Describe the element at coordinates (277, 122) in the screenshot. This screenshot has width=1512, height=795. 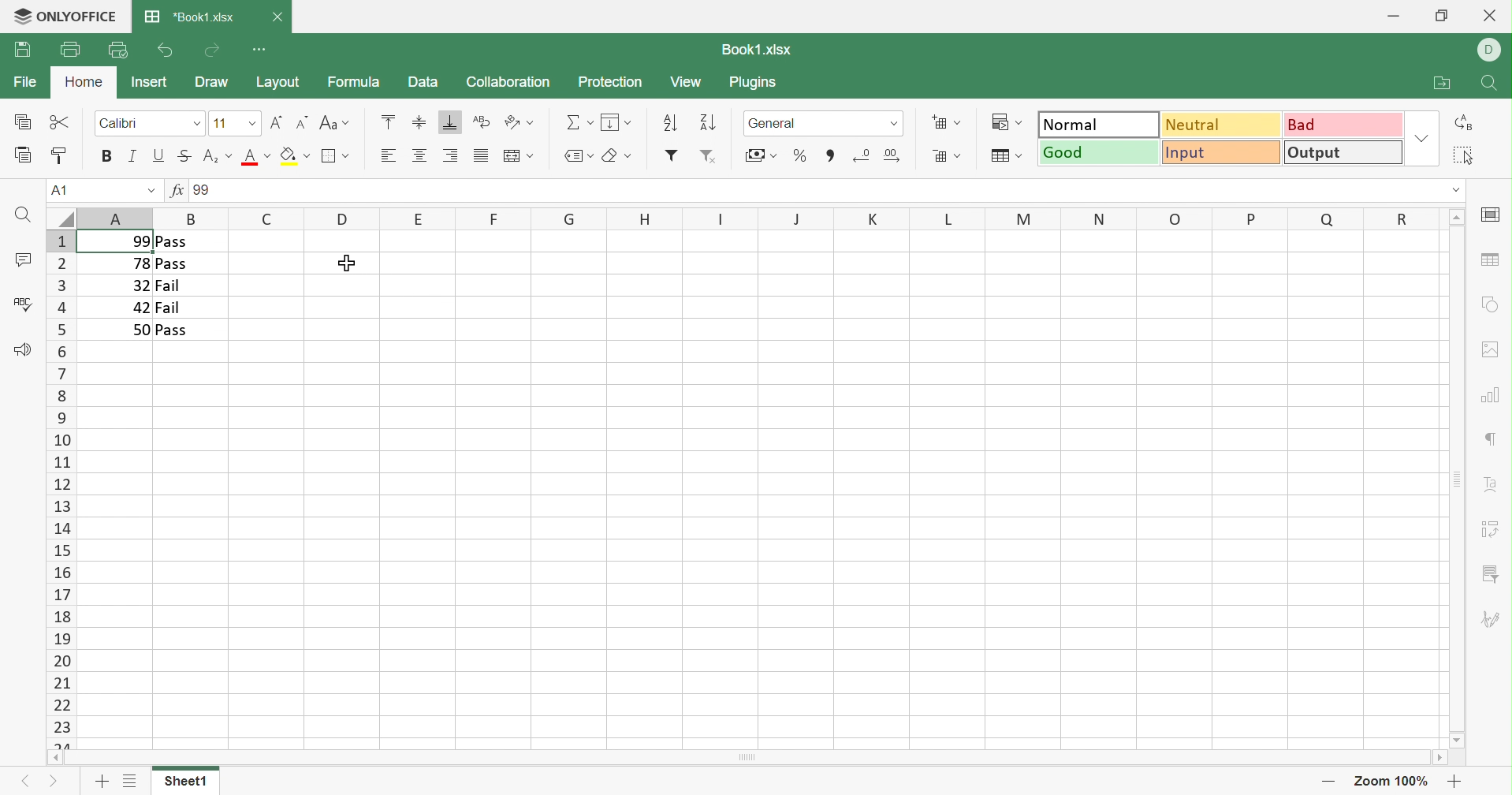
I see `Font increment` at that location.